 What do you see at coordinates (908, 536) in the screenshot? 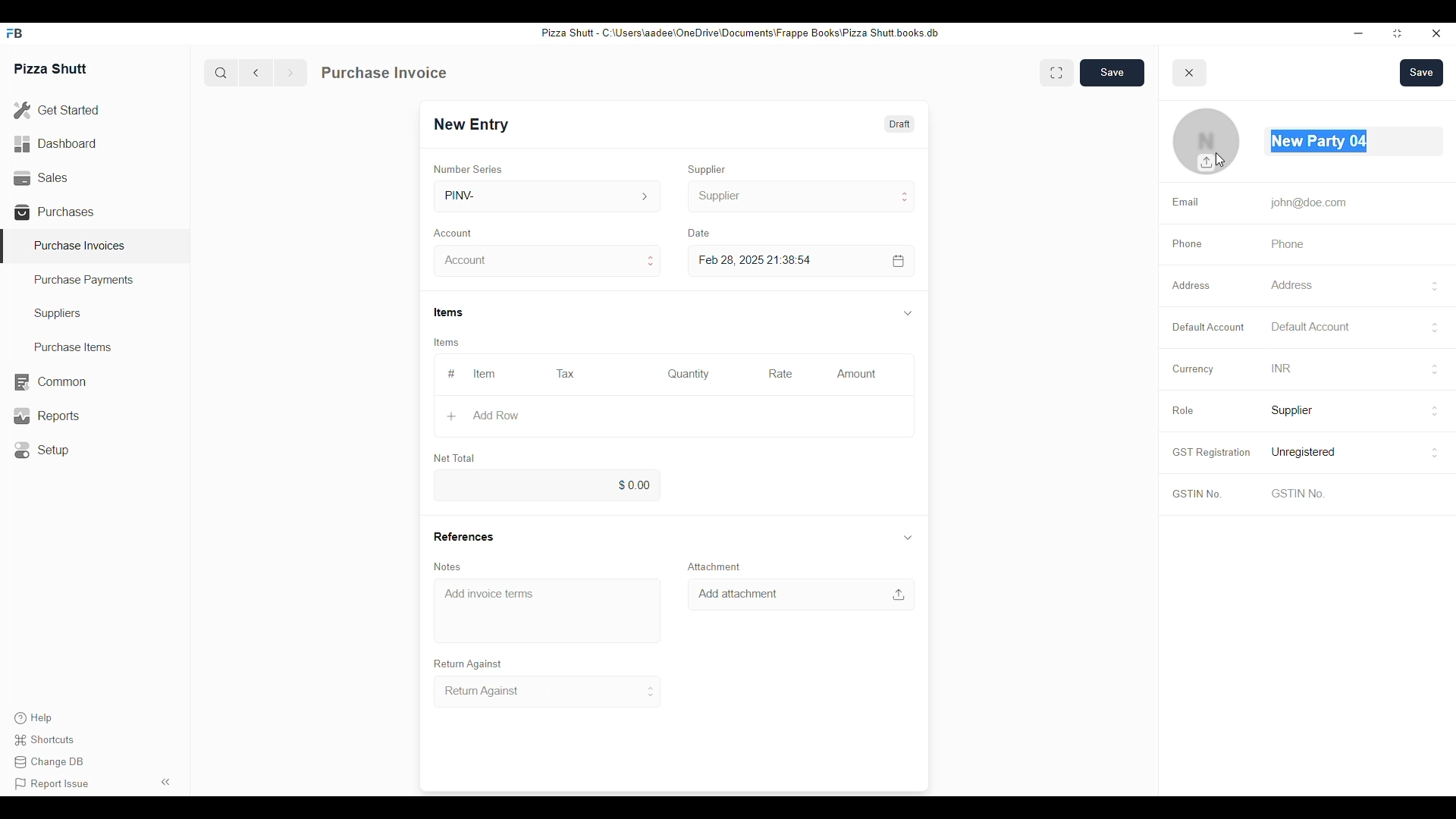
I see `down` at bounding box center [908, 536].